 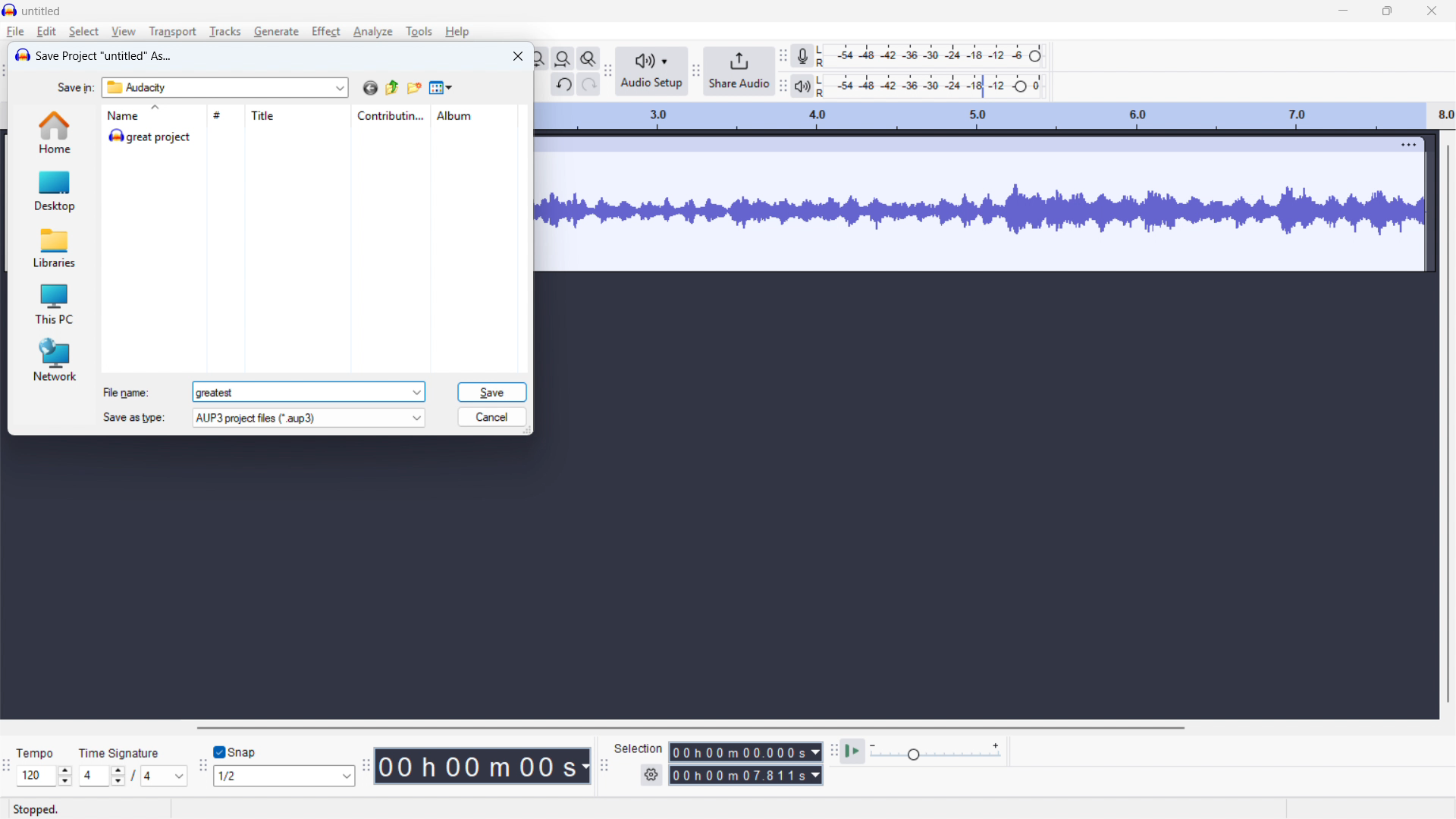 I want to click on time signature, so click(x=120, y=752).